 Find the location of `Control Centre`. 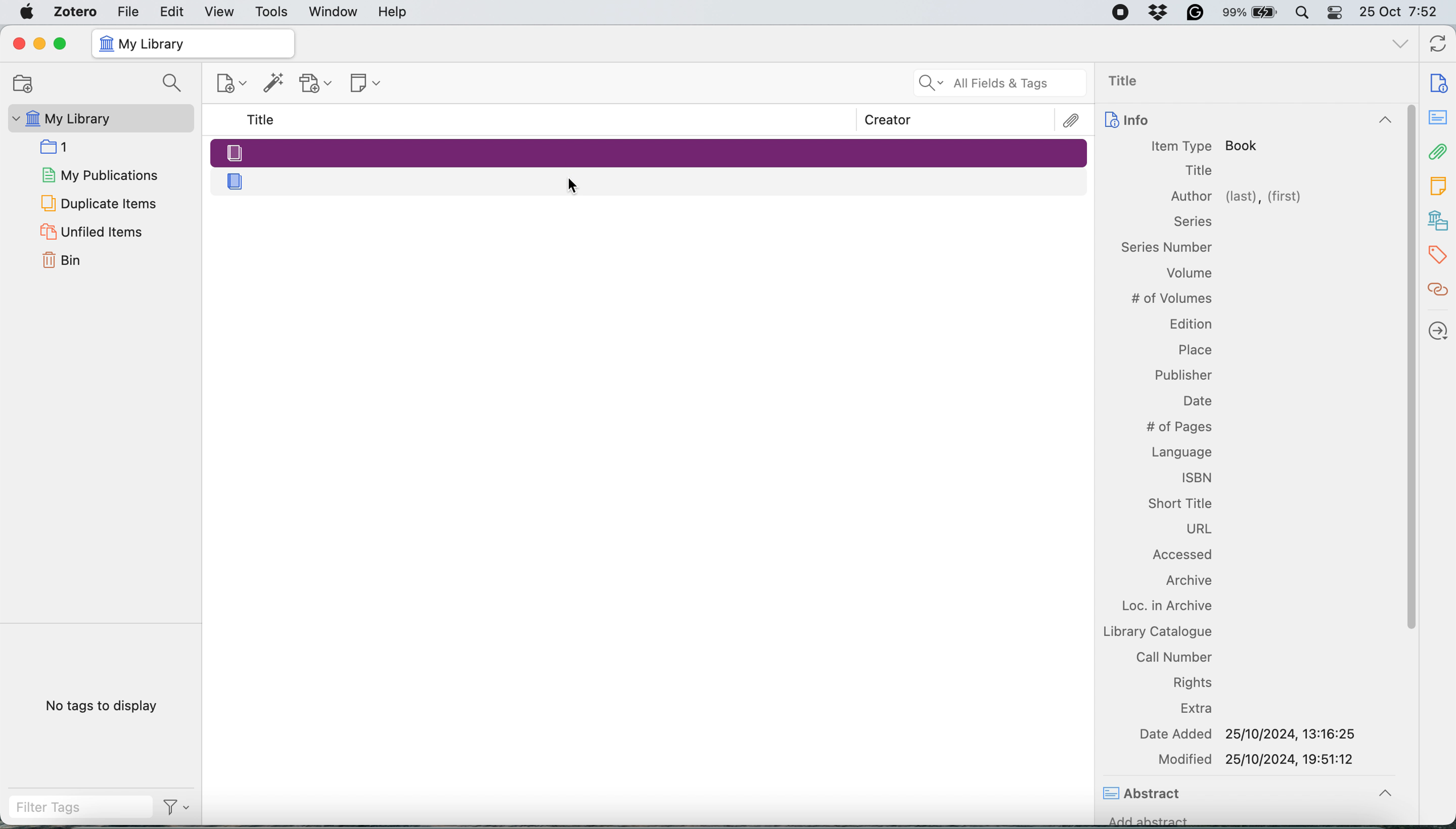

Control Centre is located at coordinates (1336, 12).